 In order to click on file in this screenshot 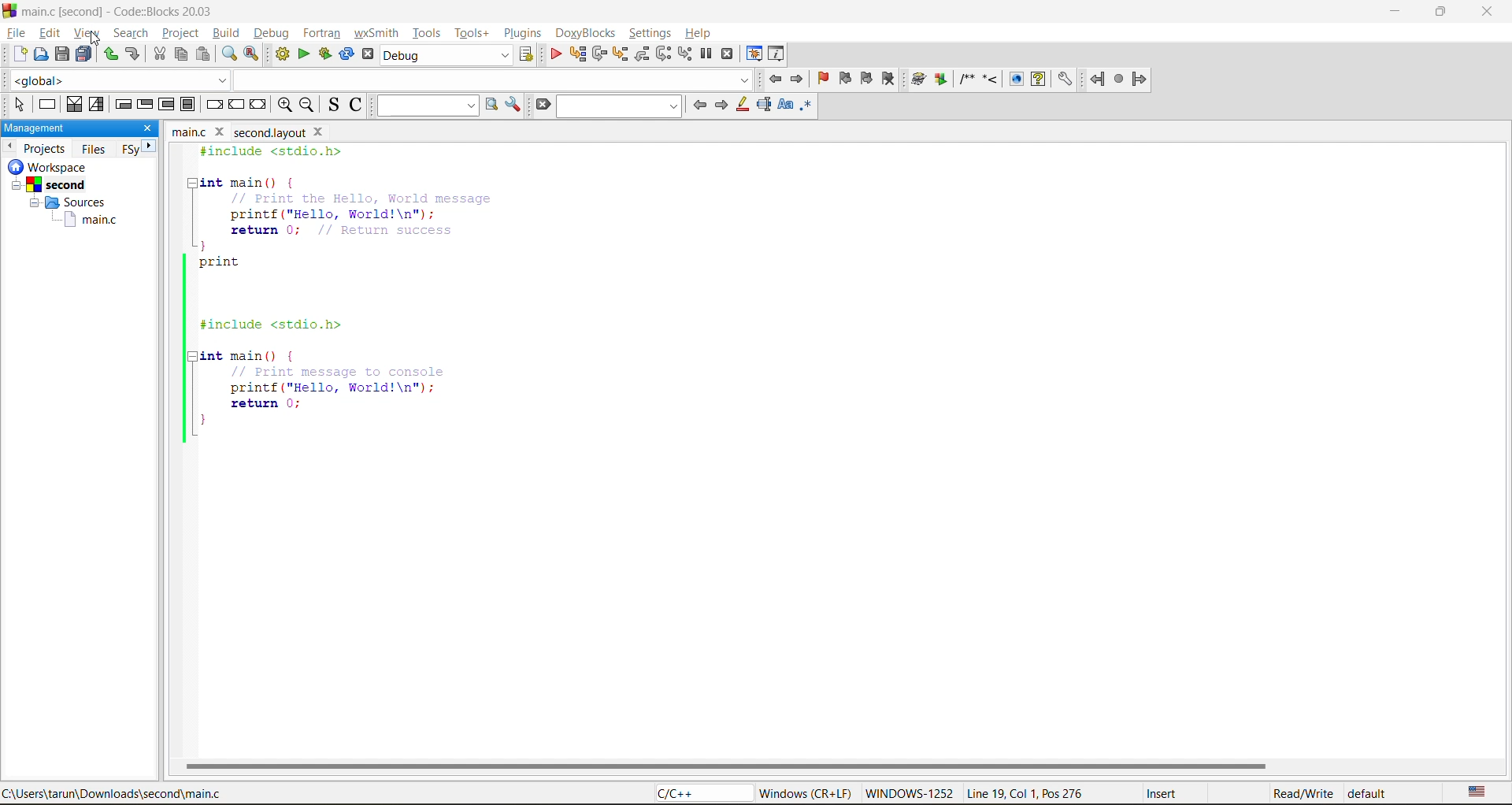, I will do `click(17, 31)`.